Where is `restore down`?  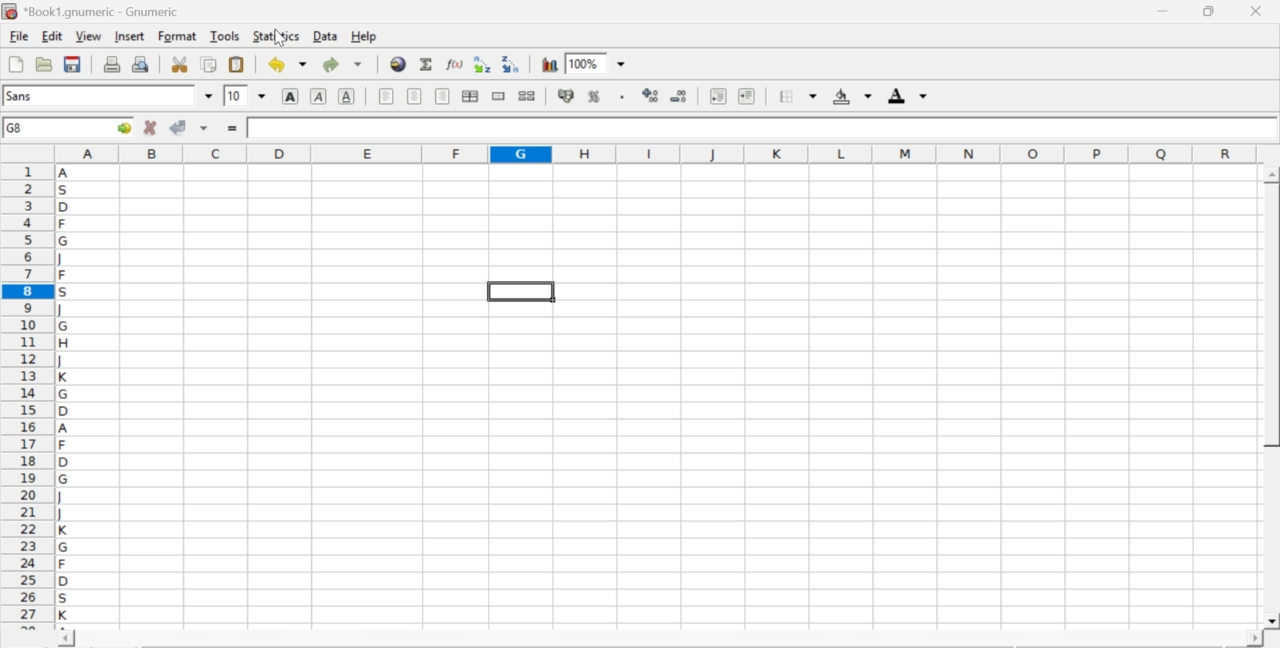 restore down is located at coordinates (1210, 12).